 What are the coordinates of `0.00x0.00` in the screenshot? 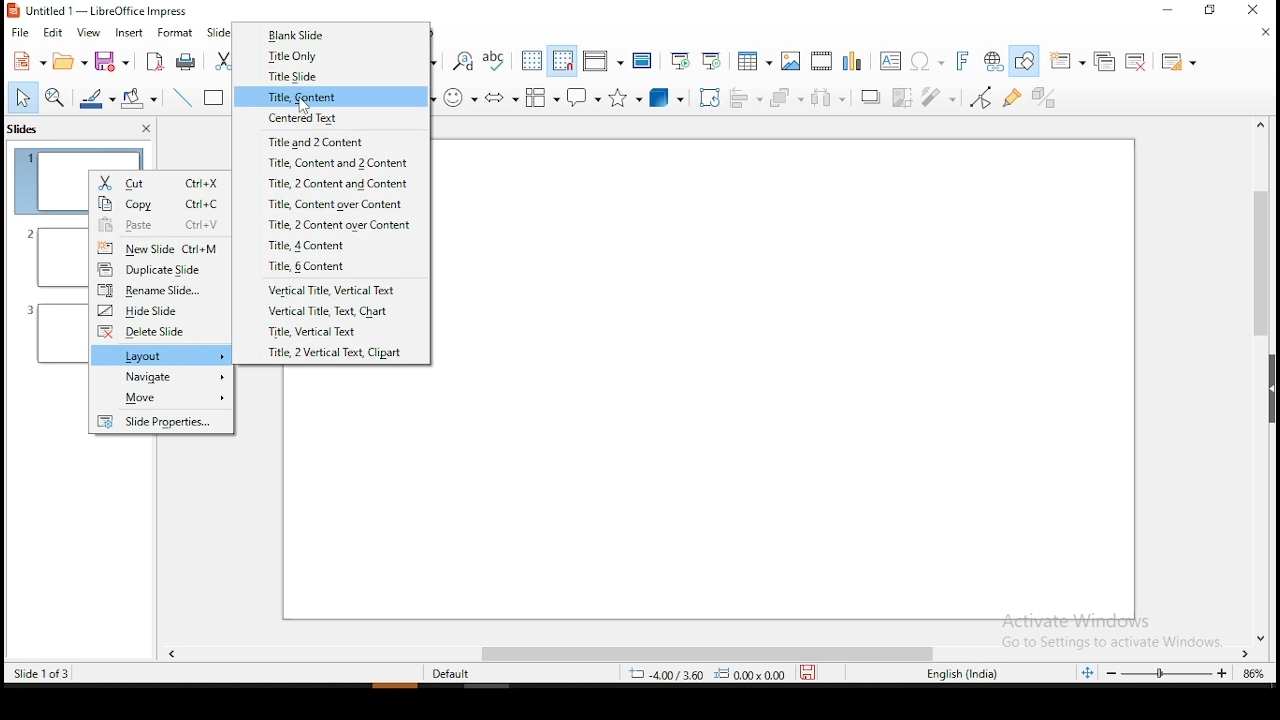 It's located at (751, 675).